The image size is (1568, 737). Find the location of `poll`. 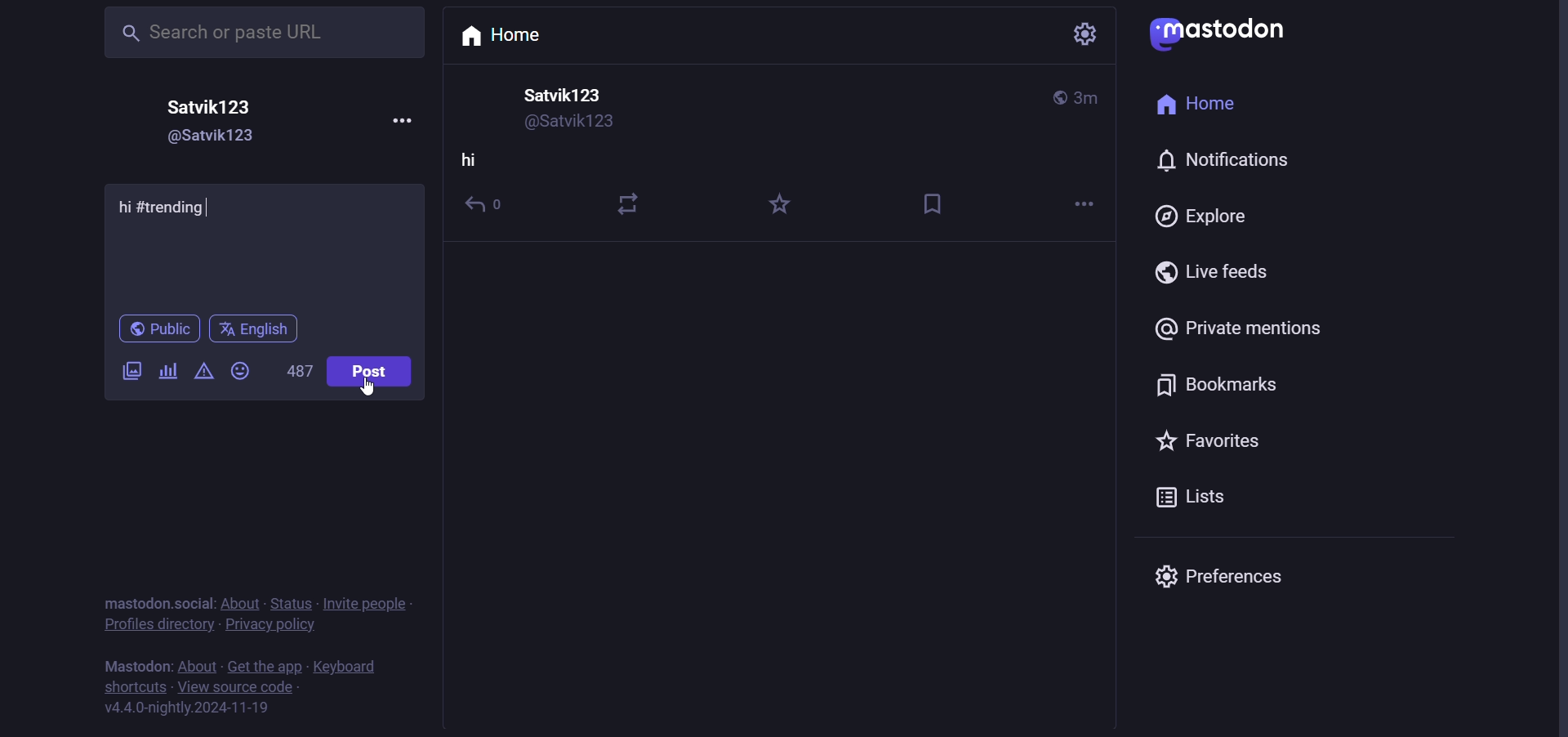

poll is located at coordinates (165, 370).